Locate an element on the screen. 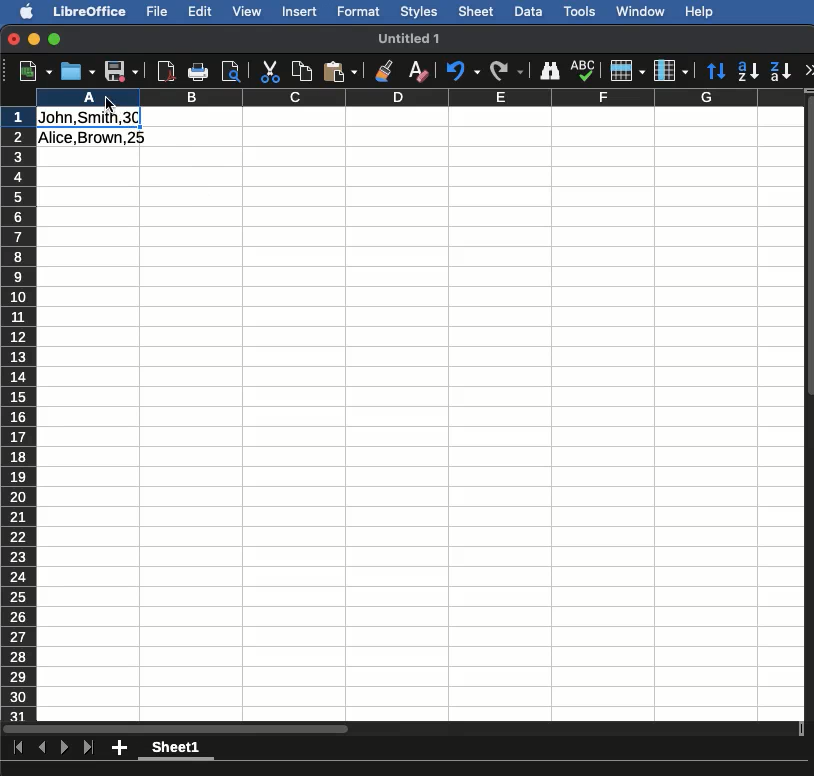 The image size is (814, 776). Maximize is located at coordinates (55, 39).